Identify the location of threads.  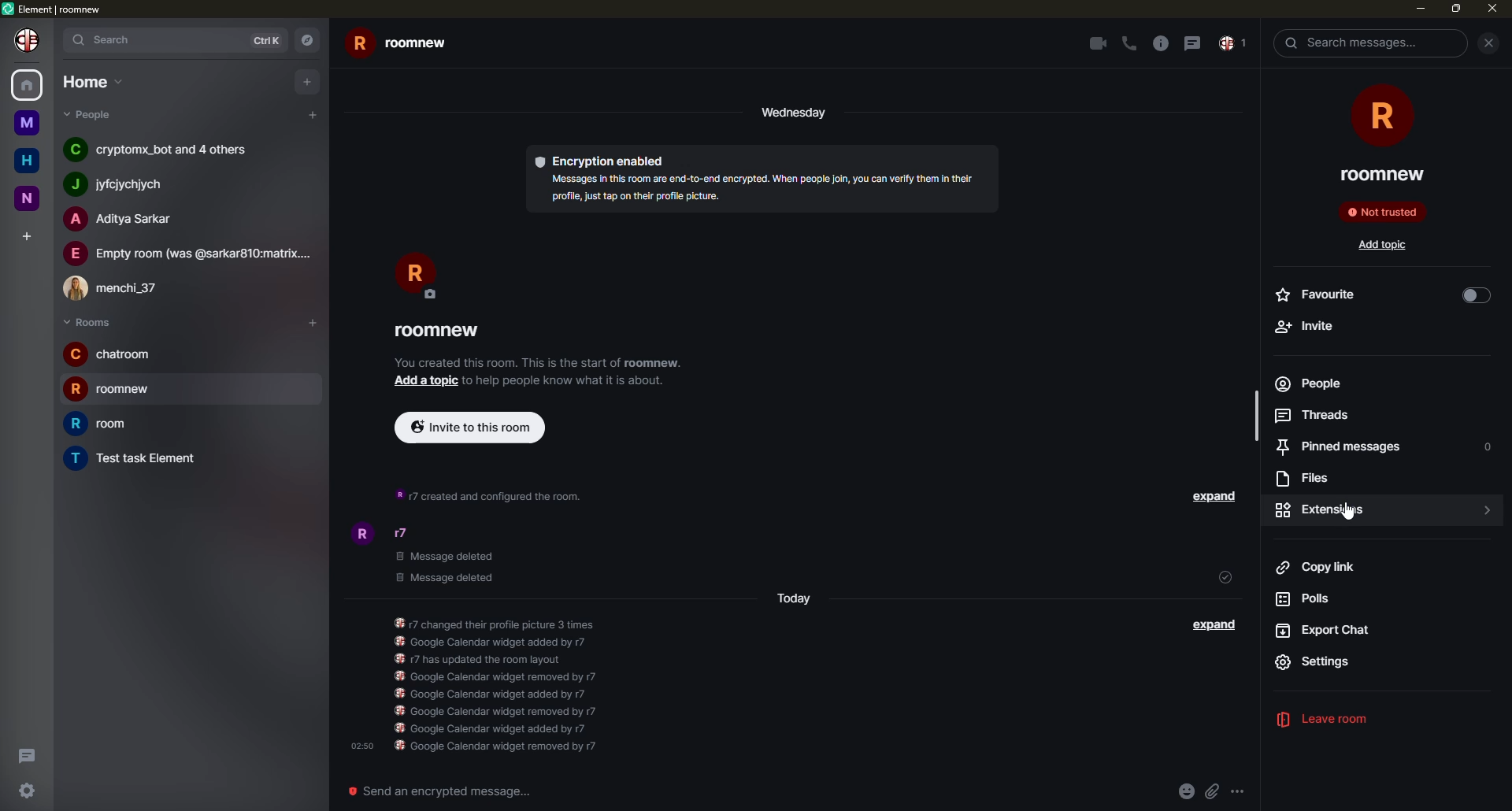
(25, 753).